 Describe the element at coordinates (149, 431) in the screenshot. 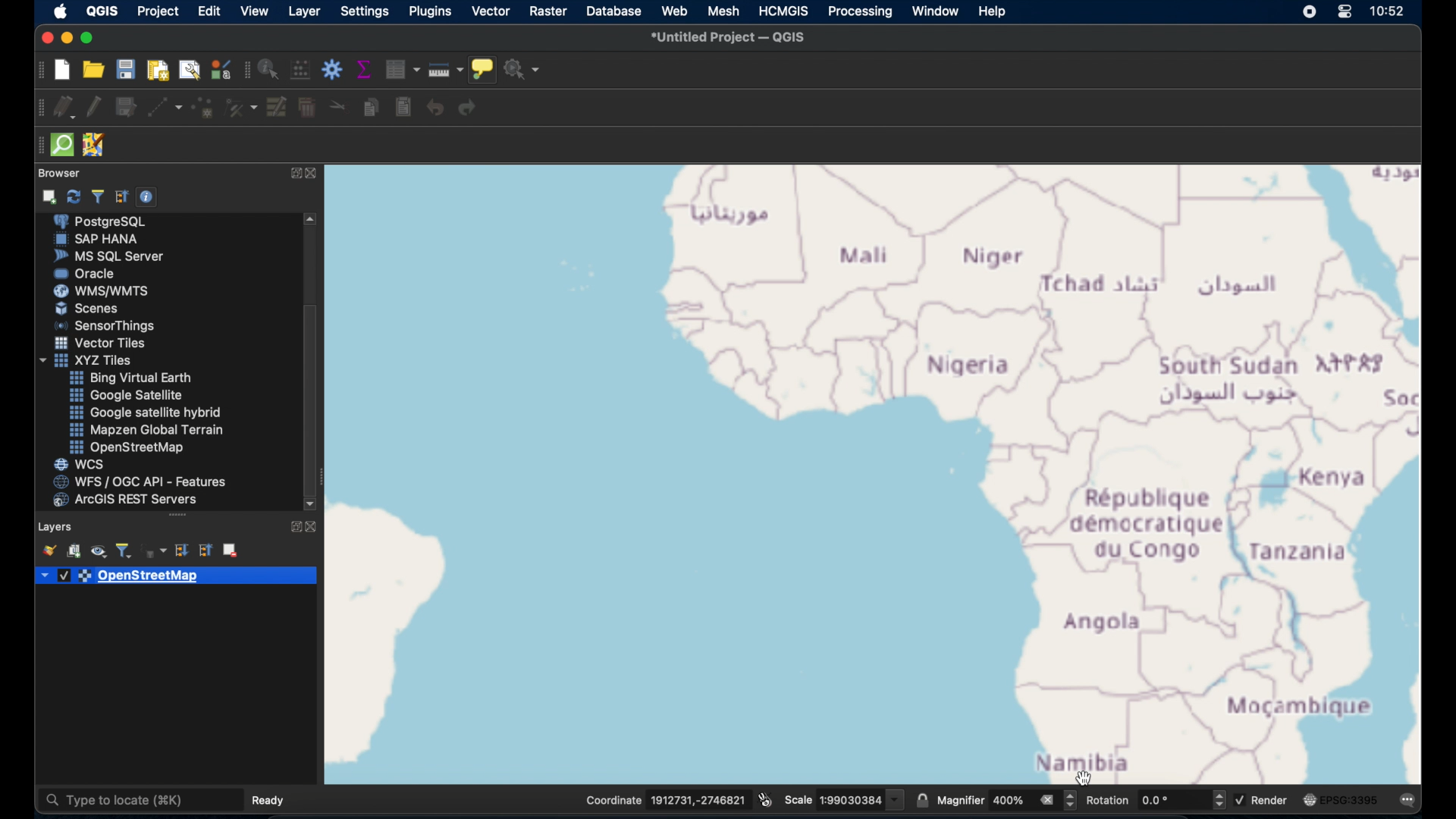

I see `mapzen global terrain` at that location.